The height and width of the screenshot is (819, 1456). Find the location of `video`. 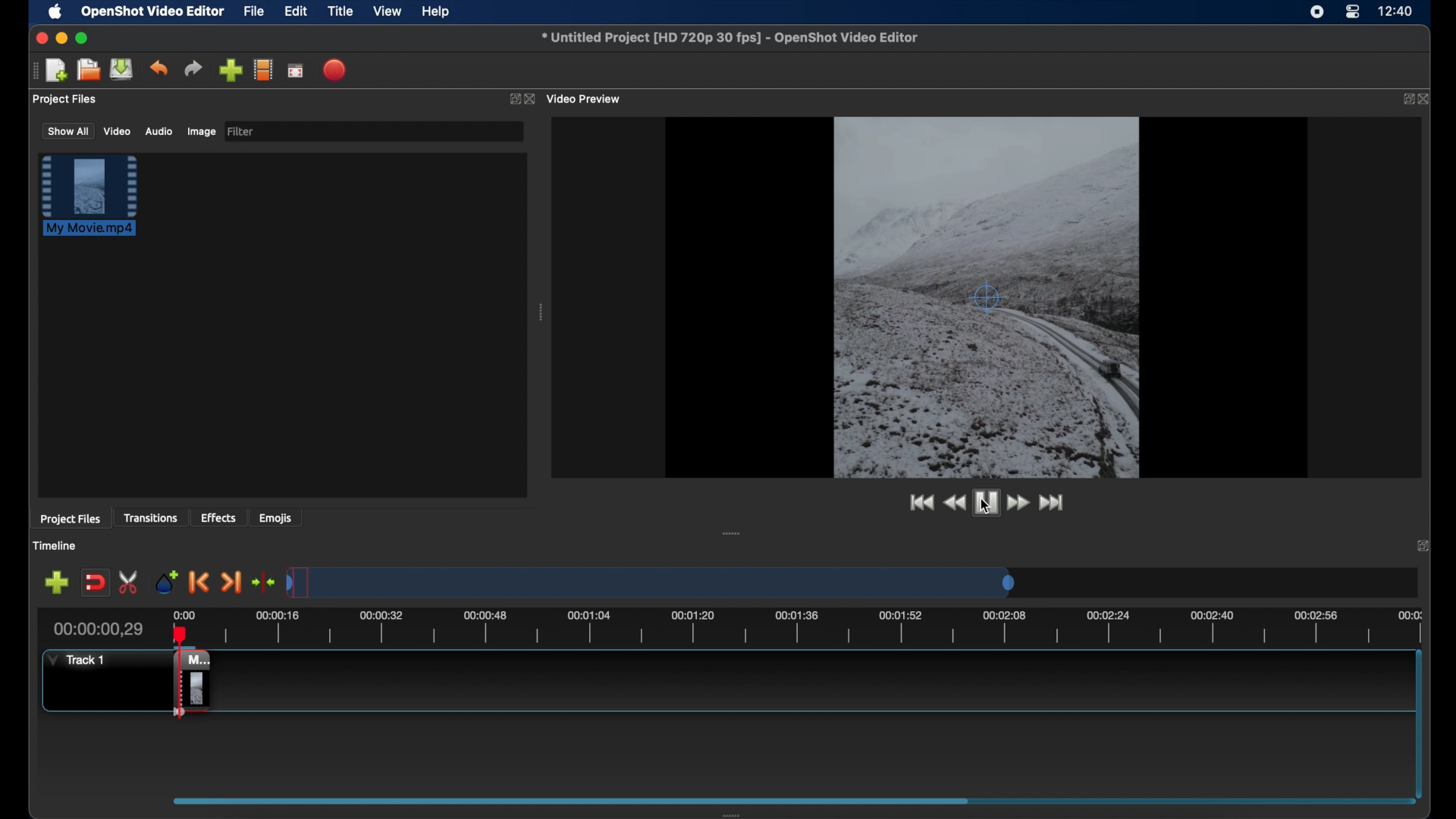

video is located at coordinates (117, 132).